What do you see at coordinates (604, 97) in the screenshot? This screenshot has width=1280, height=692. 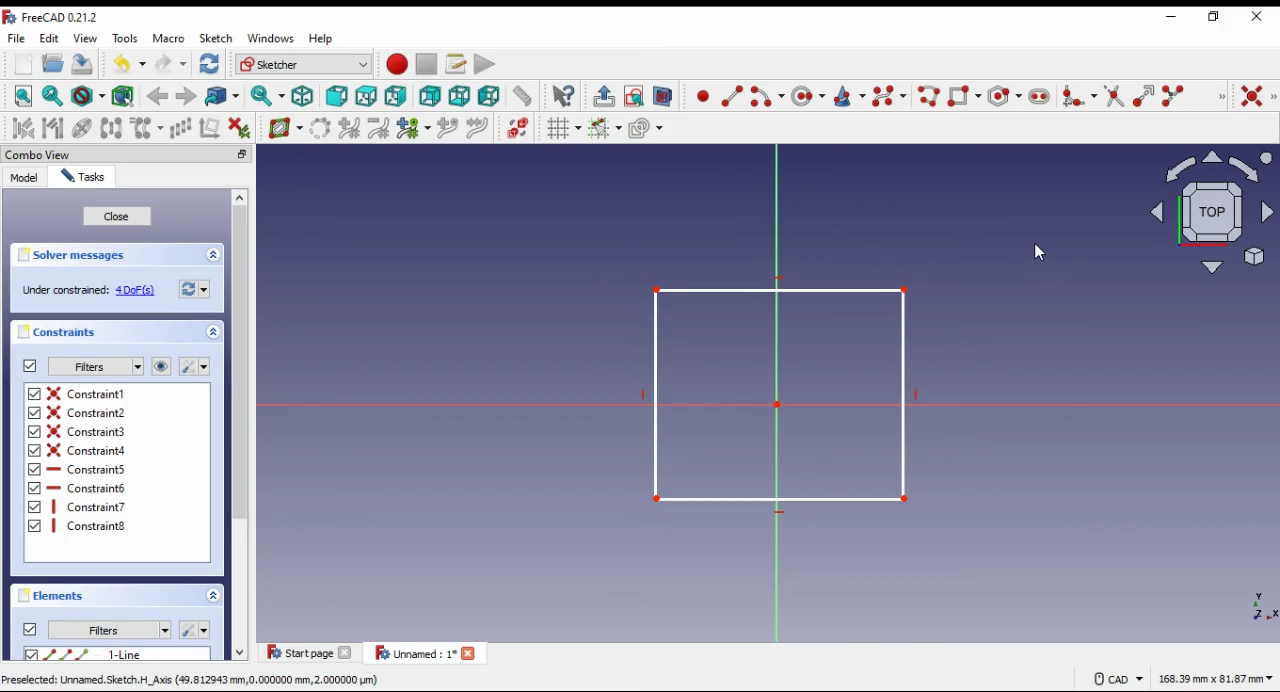 I see `leave sketch` at bounding box center [604, 97].